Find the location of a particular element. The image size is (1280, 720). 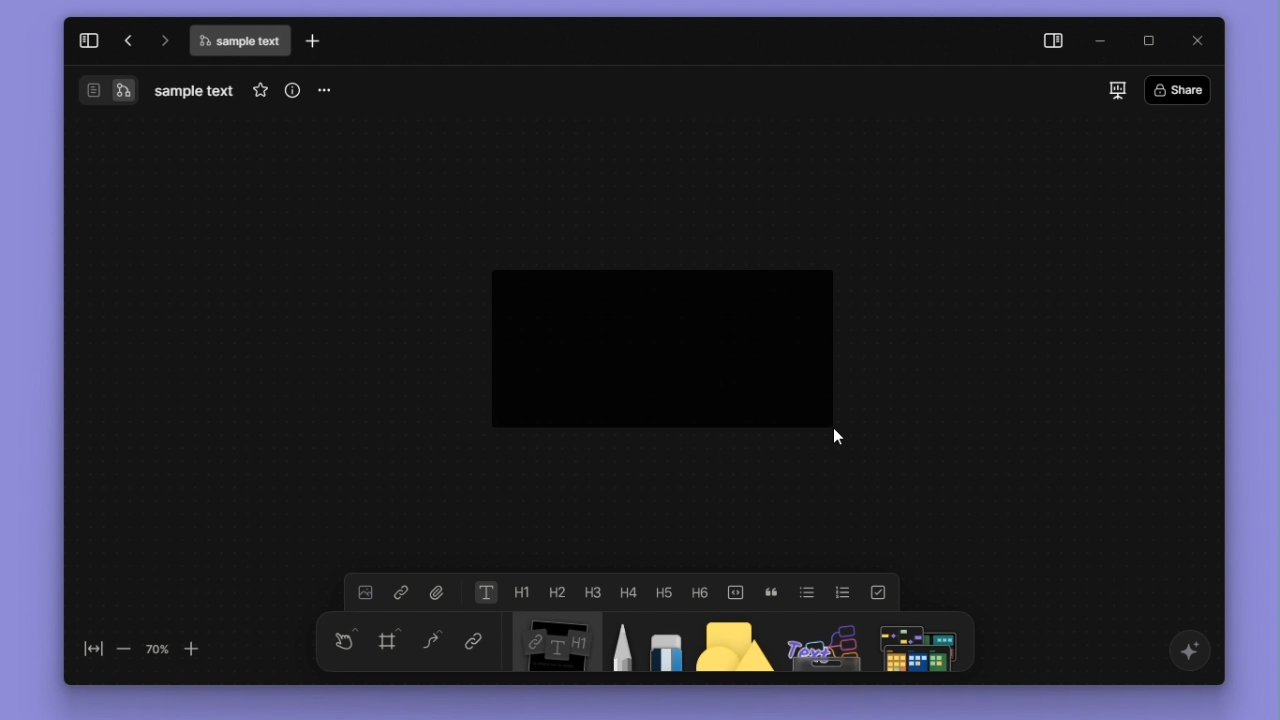

maximize is located at coordinates (1151, 39).